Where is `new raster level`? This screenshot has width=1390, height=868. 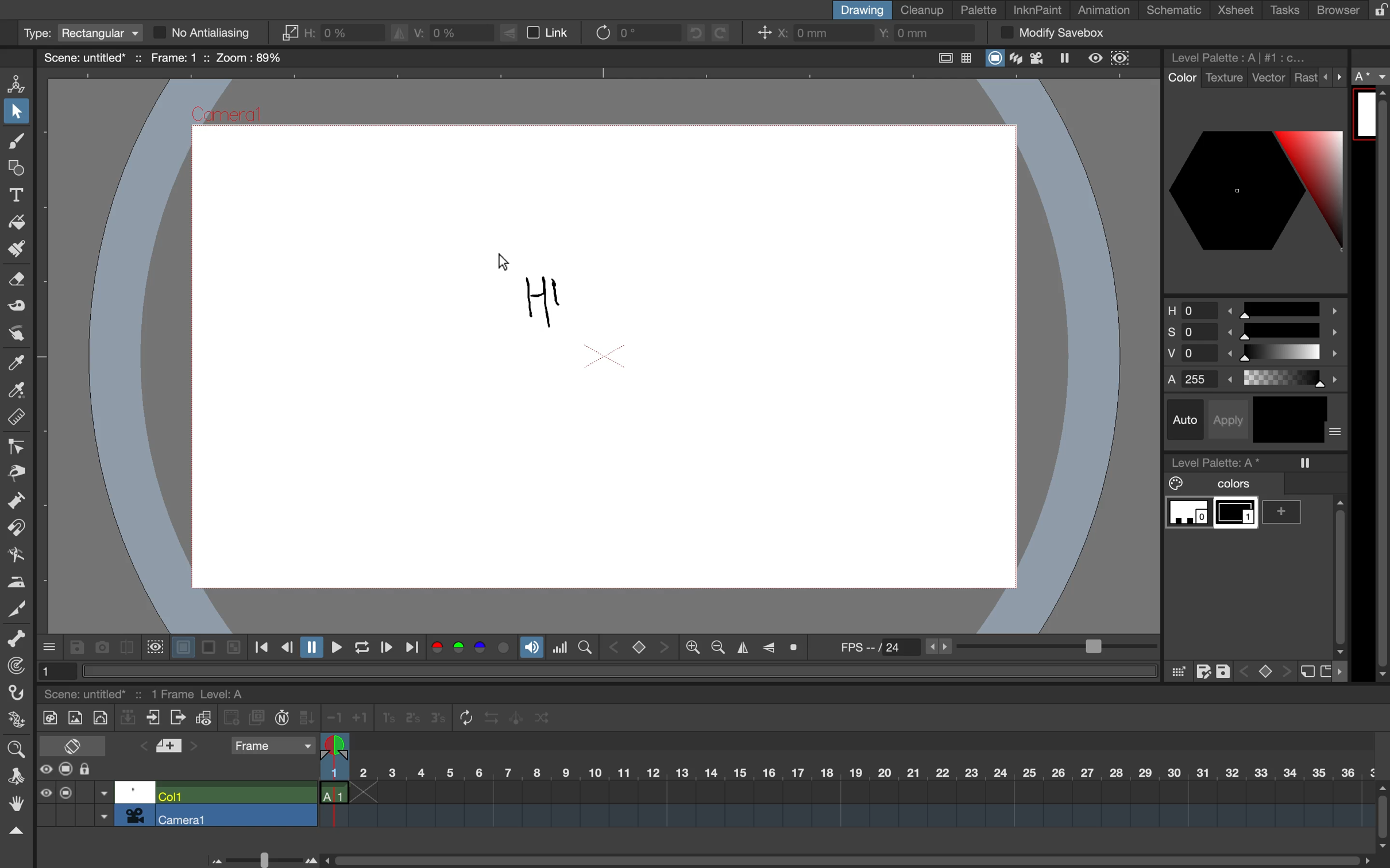 new raster level is located at coordinates (74, 719).